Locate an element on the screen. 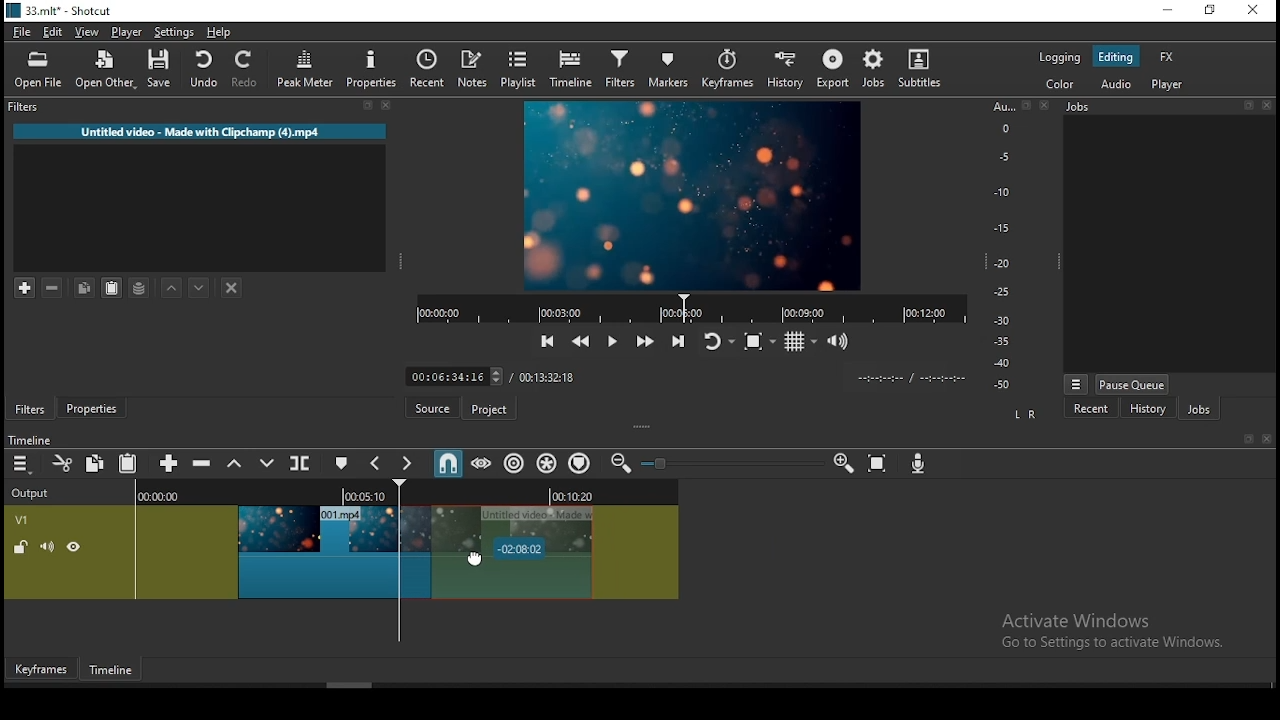 This screenshot has height=720, width=1280. notes is located at coordinates (475, 69).